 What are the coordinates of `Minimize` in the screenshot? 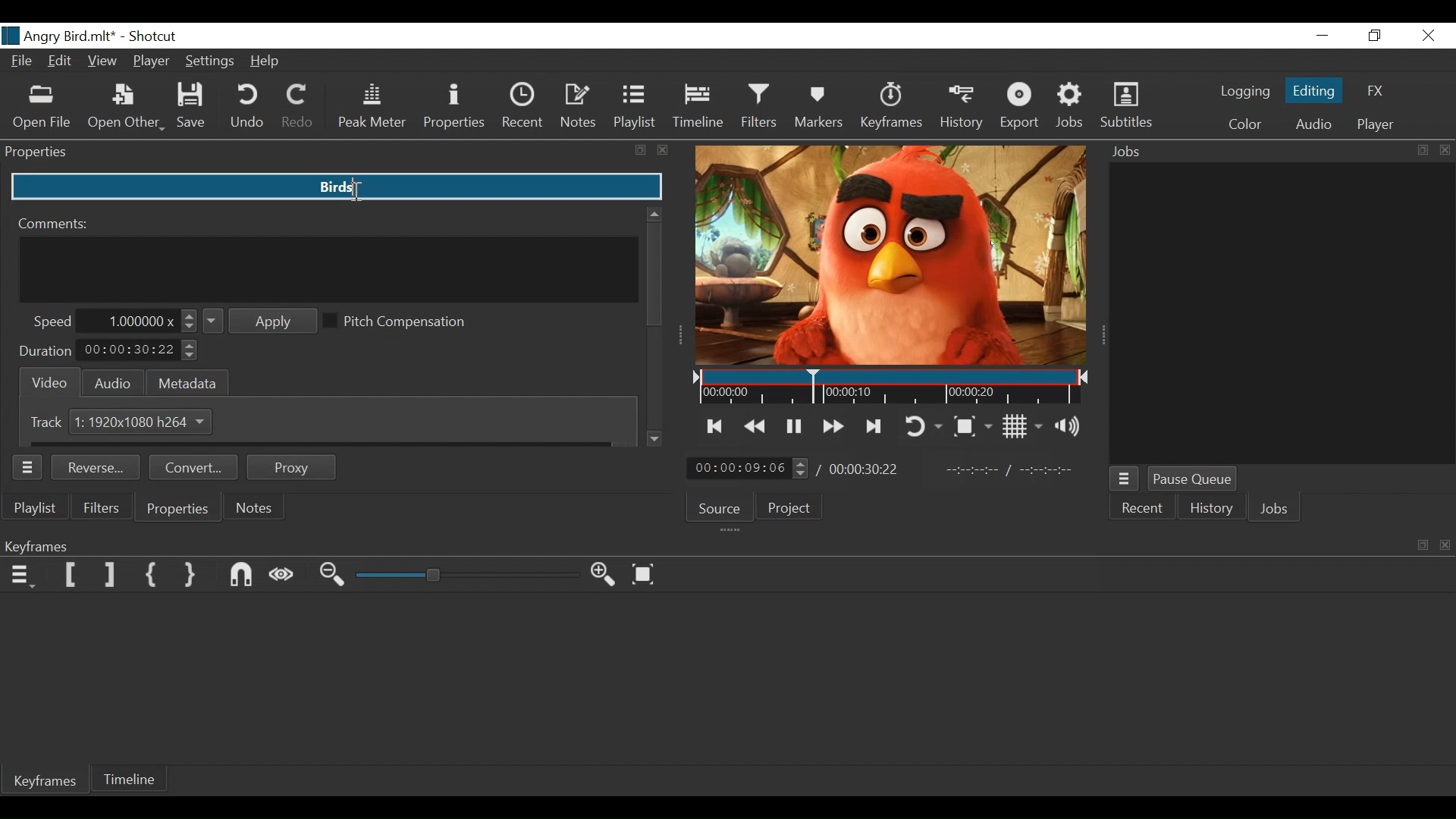 It's located at (1322, 35).